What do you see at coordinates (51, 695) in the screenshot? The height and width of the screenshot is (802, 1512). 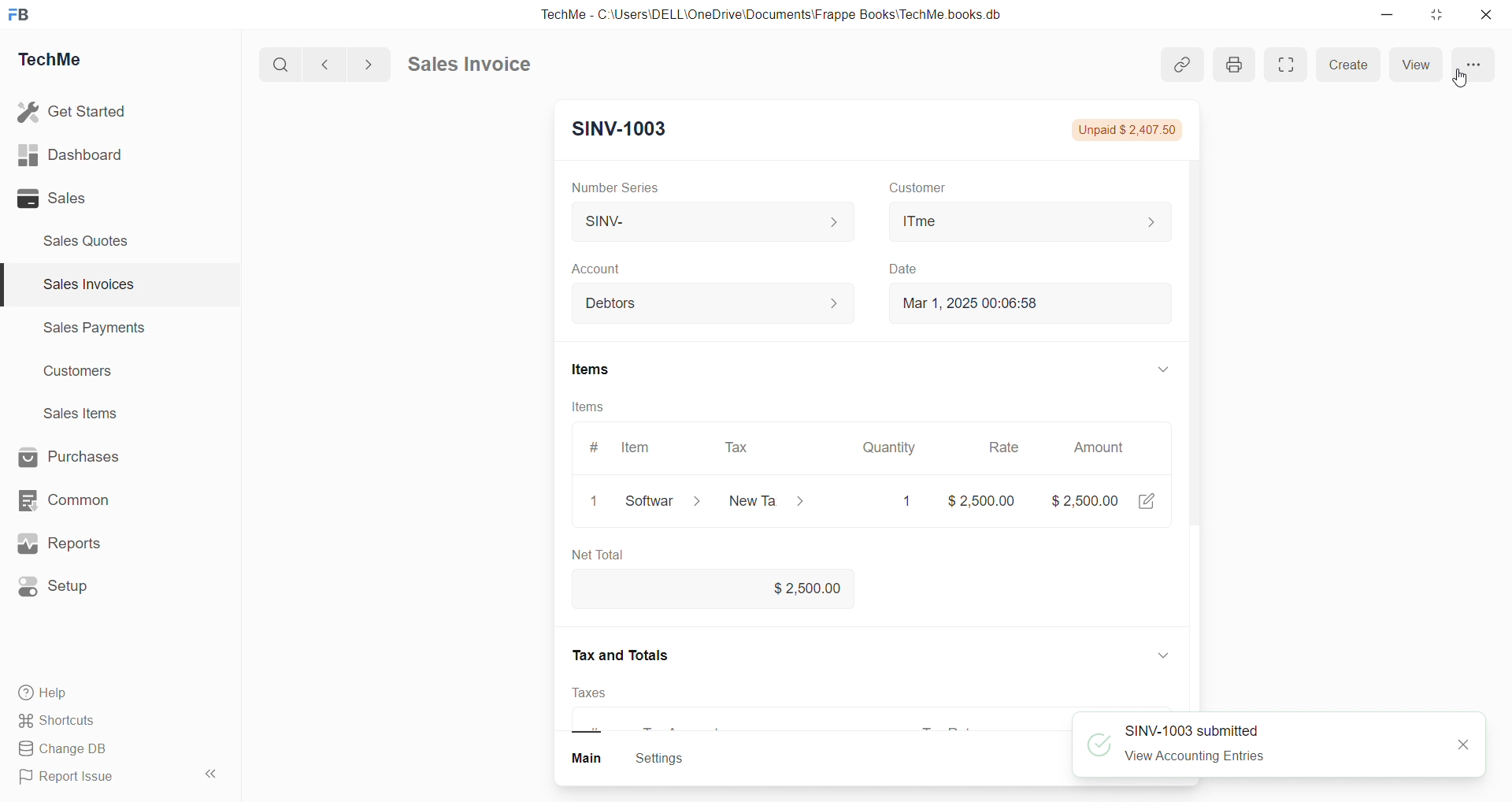 I see ` Help` at bounding box center [51, 695].